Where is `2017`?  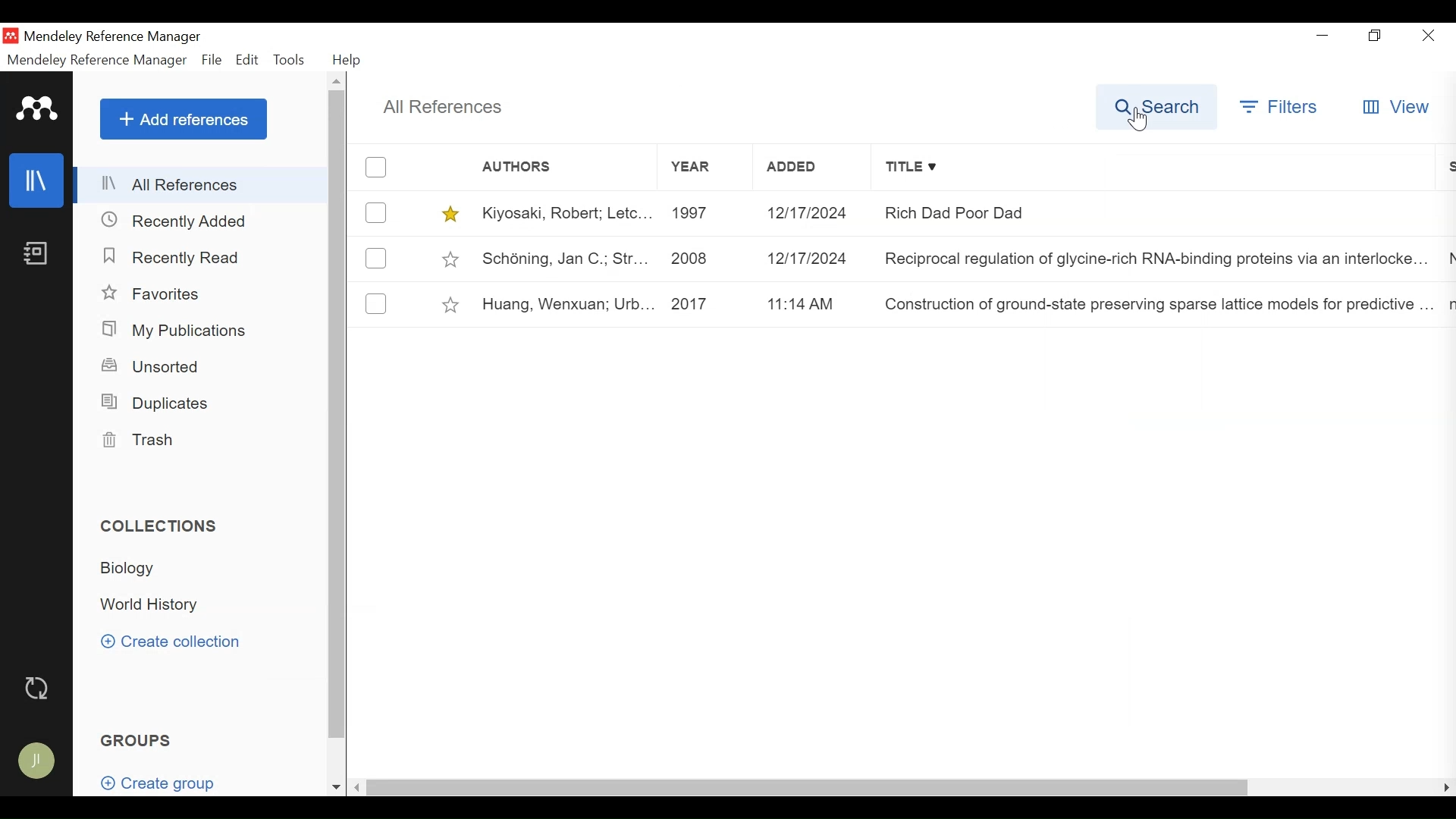
2017 is located at coordinates (704, 304).